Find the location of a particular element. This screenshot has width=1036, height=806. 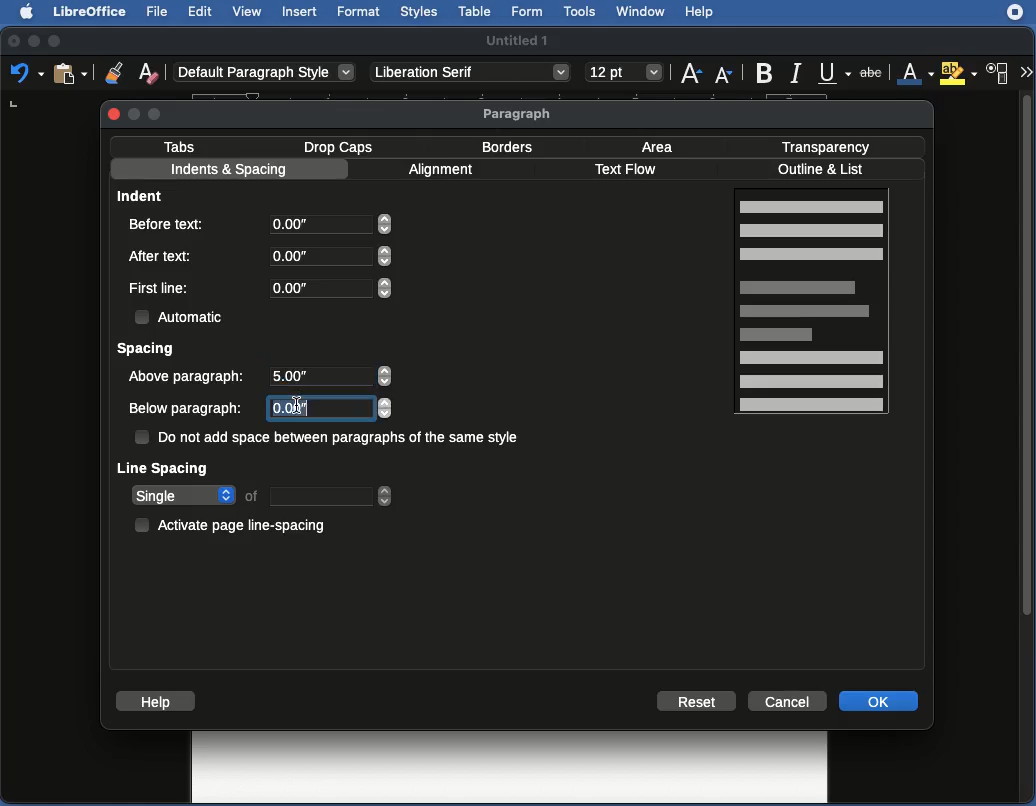

Format  is located at coordinates (358, 12).